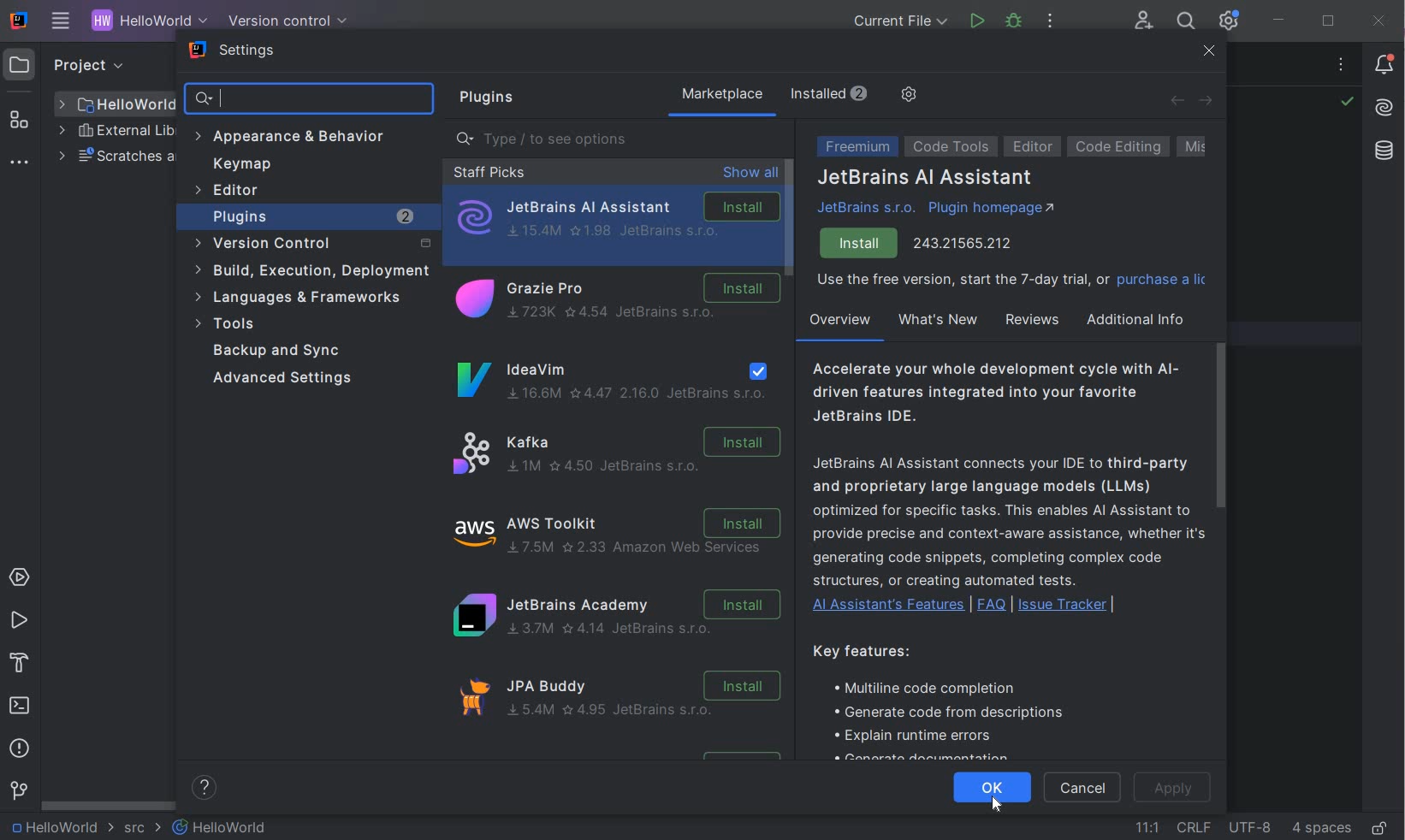 This screenshot has width=1405, height=840. What do you see at coordinates (626, 704) in the screenshot?
I see `JPA BUDDY Installation` at bounding box center [626, 704].